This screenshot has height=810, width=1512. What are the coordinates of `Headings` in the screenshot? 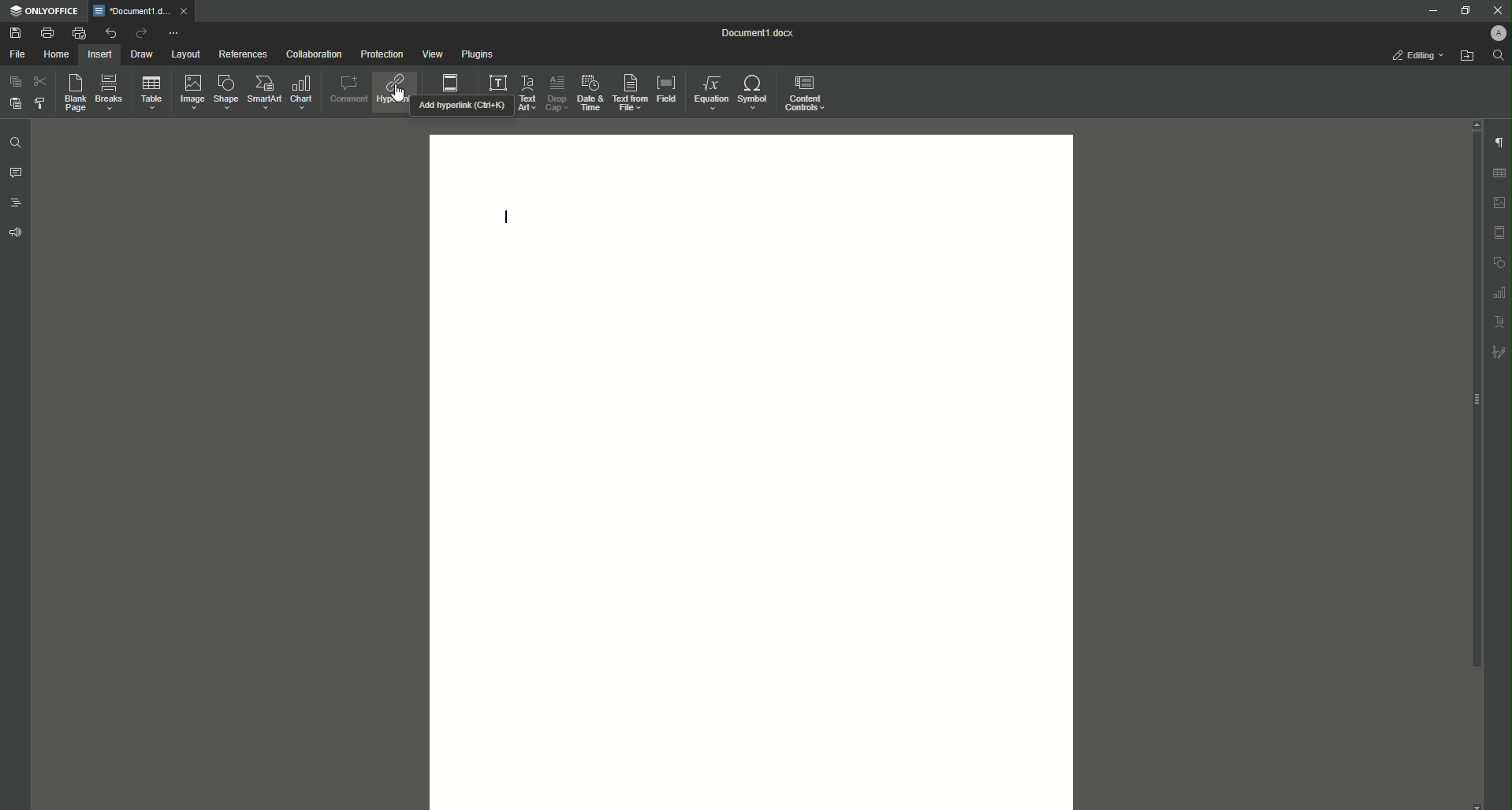 It's located at (16, 203).